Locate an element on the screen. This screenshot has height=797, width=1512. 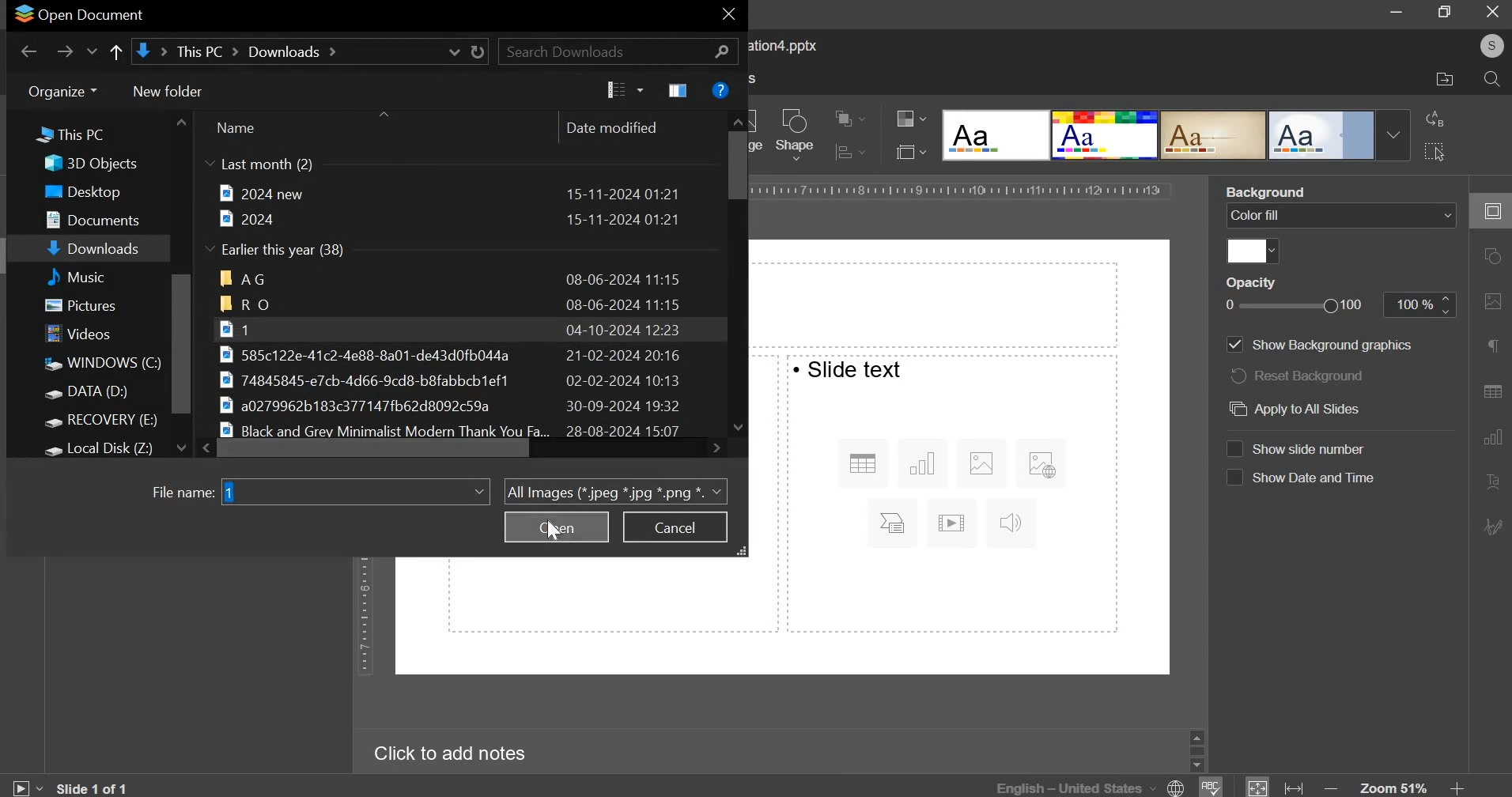
text art is located at coordinates (1491, 483).